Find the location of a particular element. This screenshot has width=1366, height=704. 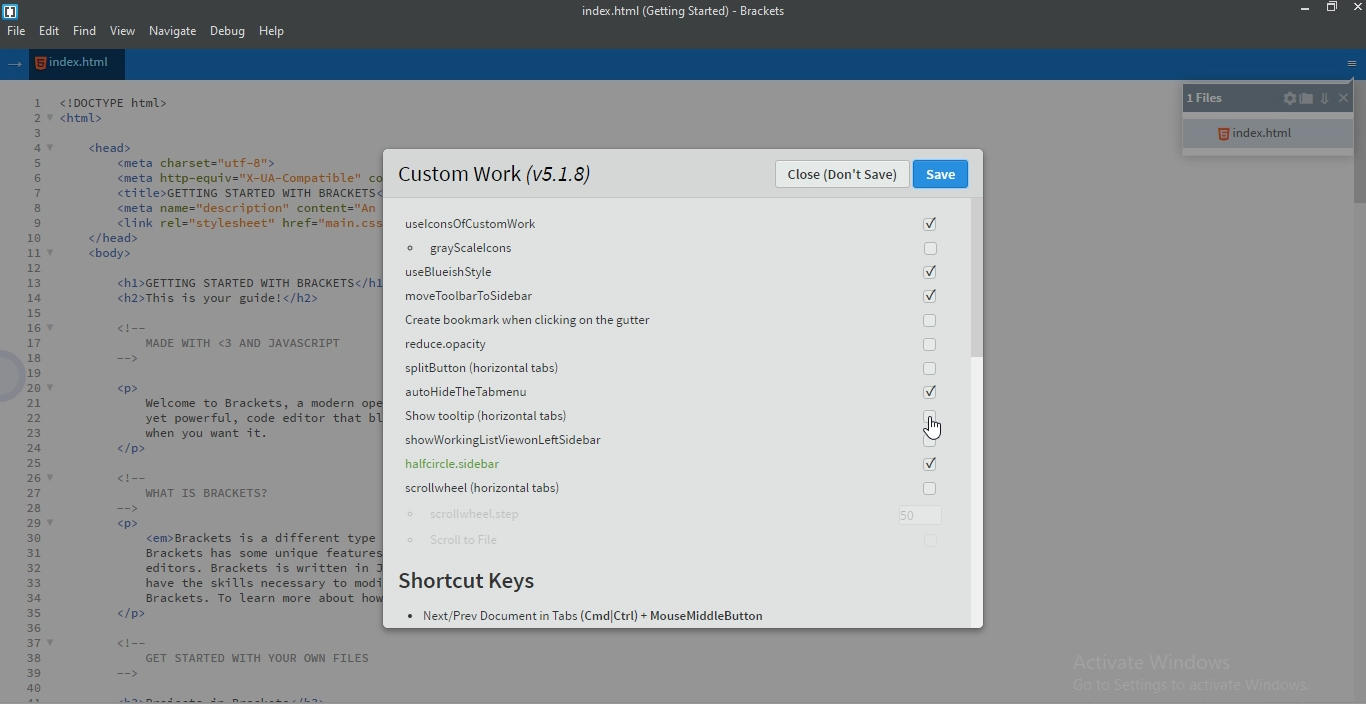

Line Number is located at coordinates (26, 397).